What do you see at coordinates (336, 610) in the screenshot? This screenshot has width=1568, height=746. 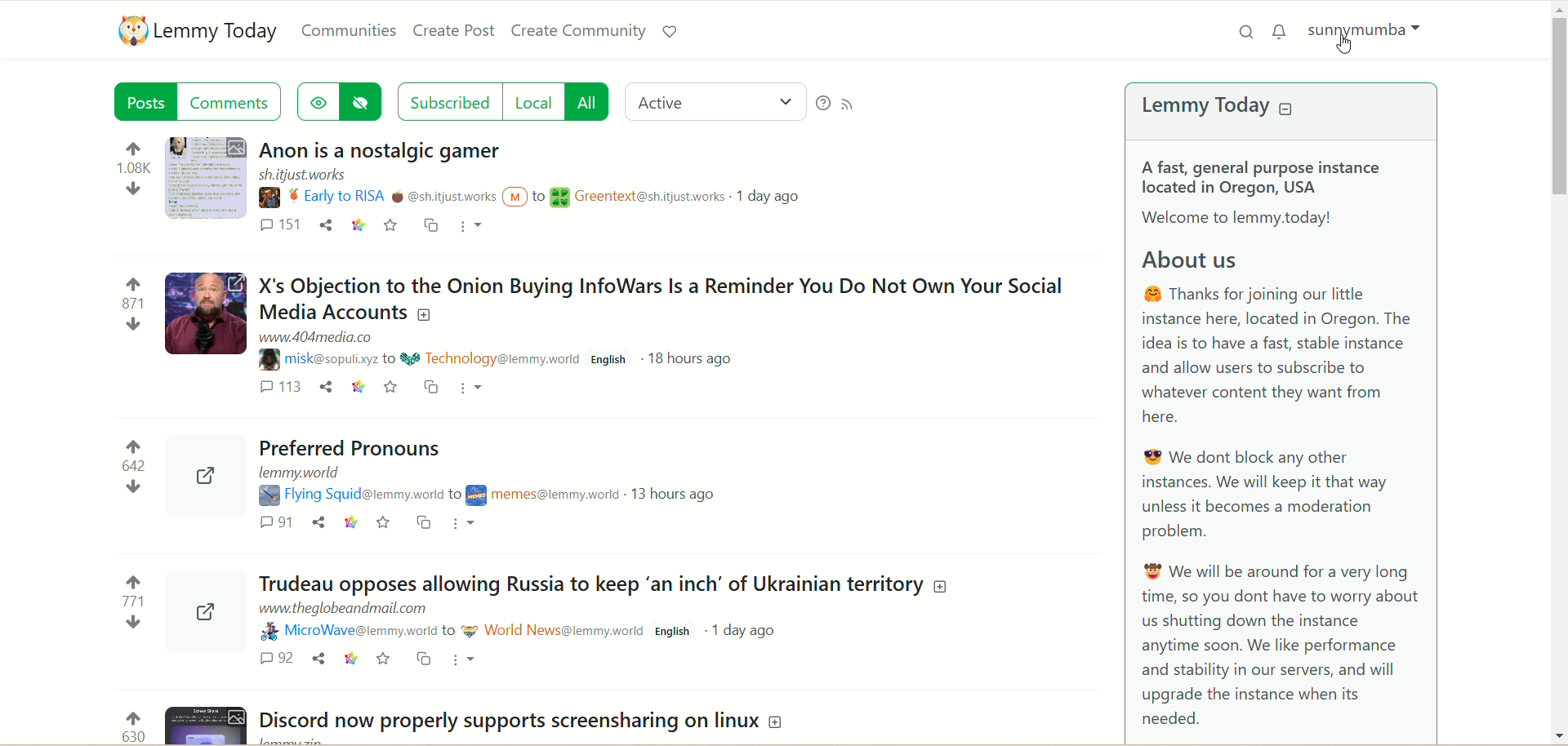 I see `URL` at bounding box center [336, 610].